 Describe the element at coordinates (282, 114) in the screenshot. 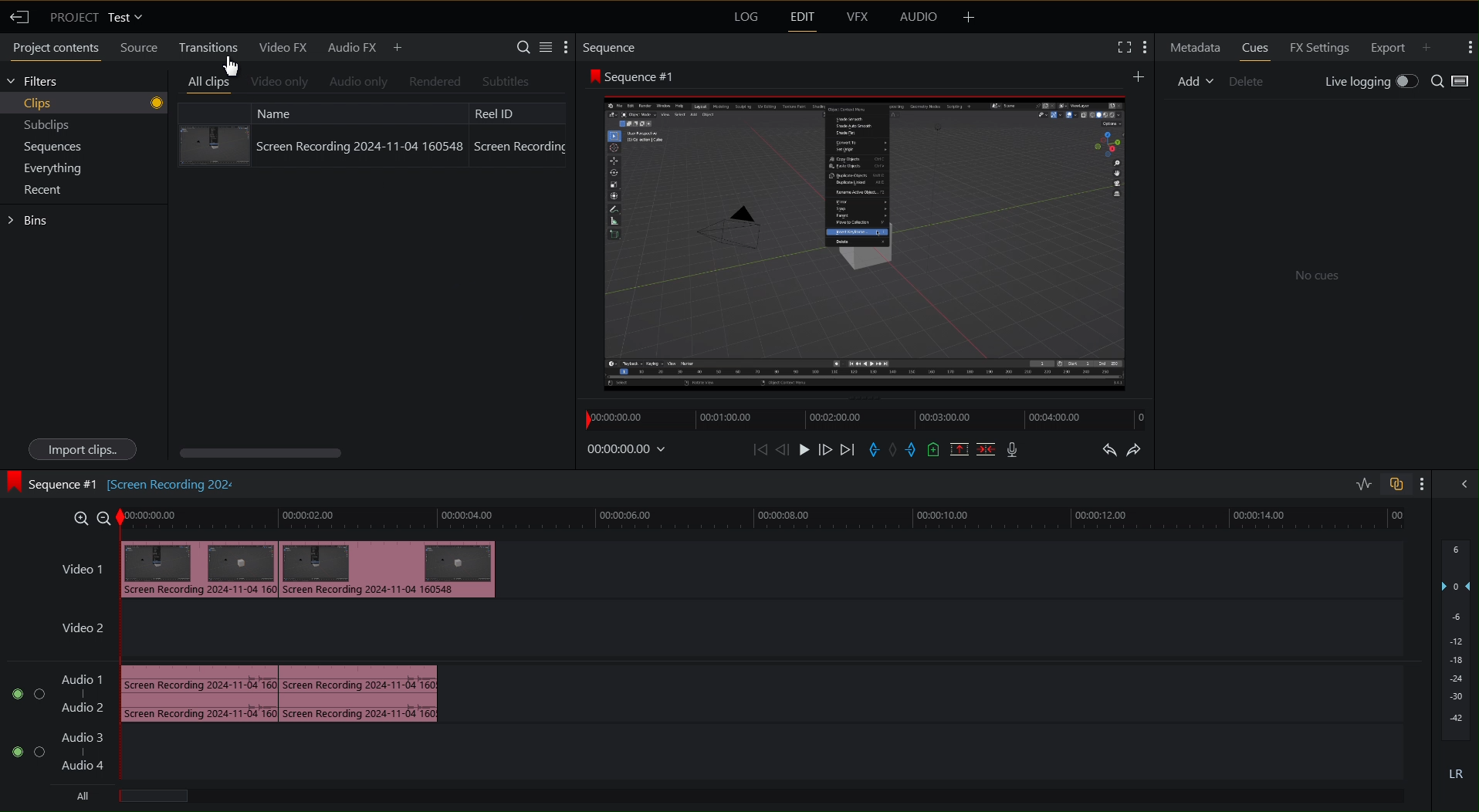

I see `Name` at that location.